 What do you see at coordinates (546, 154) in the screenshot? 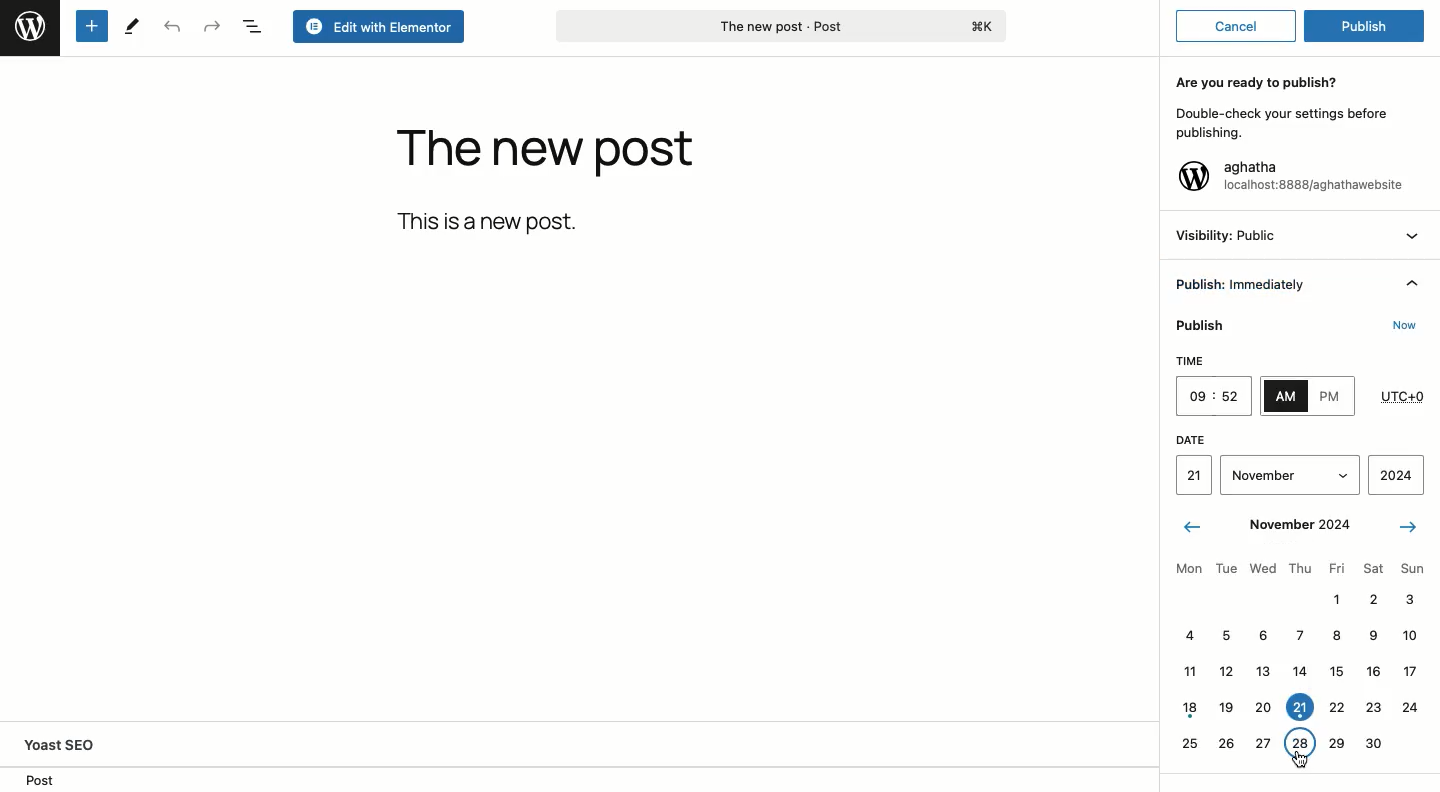
I see `The new post` at bounding box center [546, 154].